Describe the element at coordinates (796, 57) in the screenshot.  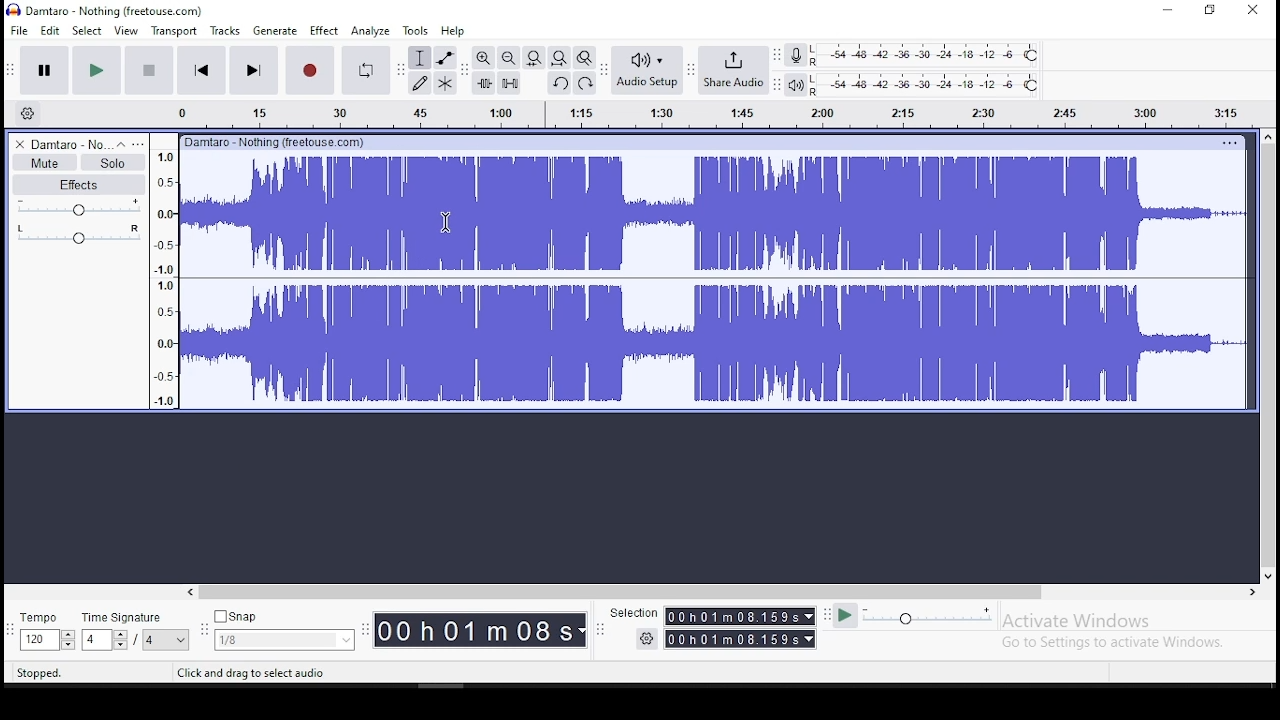
I see `record meter` at that location.